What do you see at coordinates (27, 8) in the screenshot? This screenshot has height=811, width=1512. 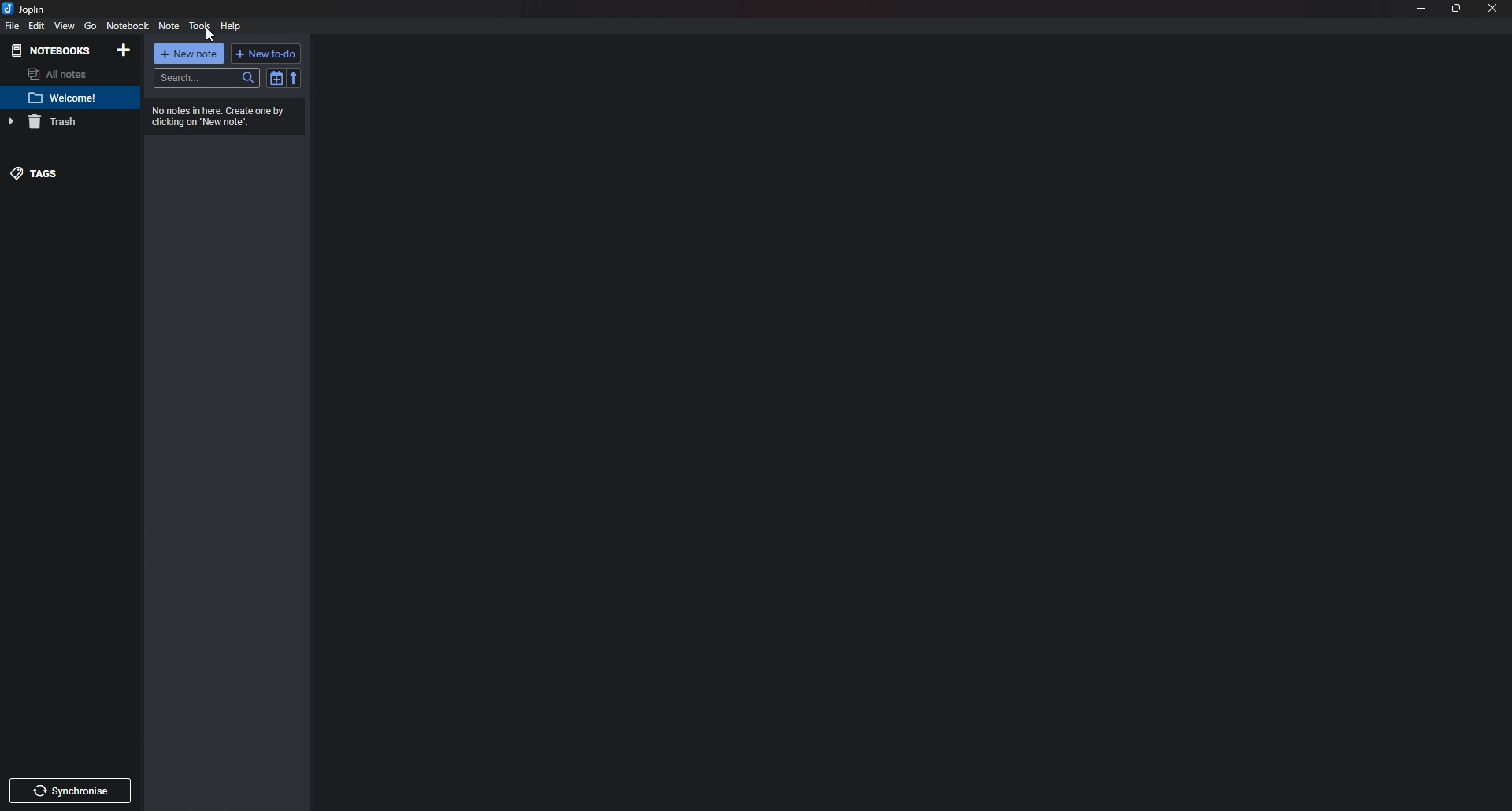 I see `joplin` at bounding box center [27, 8].